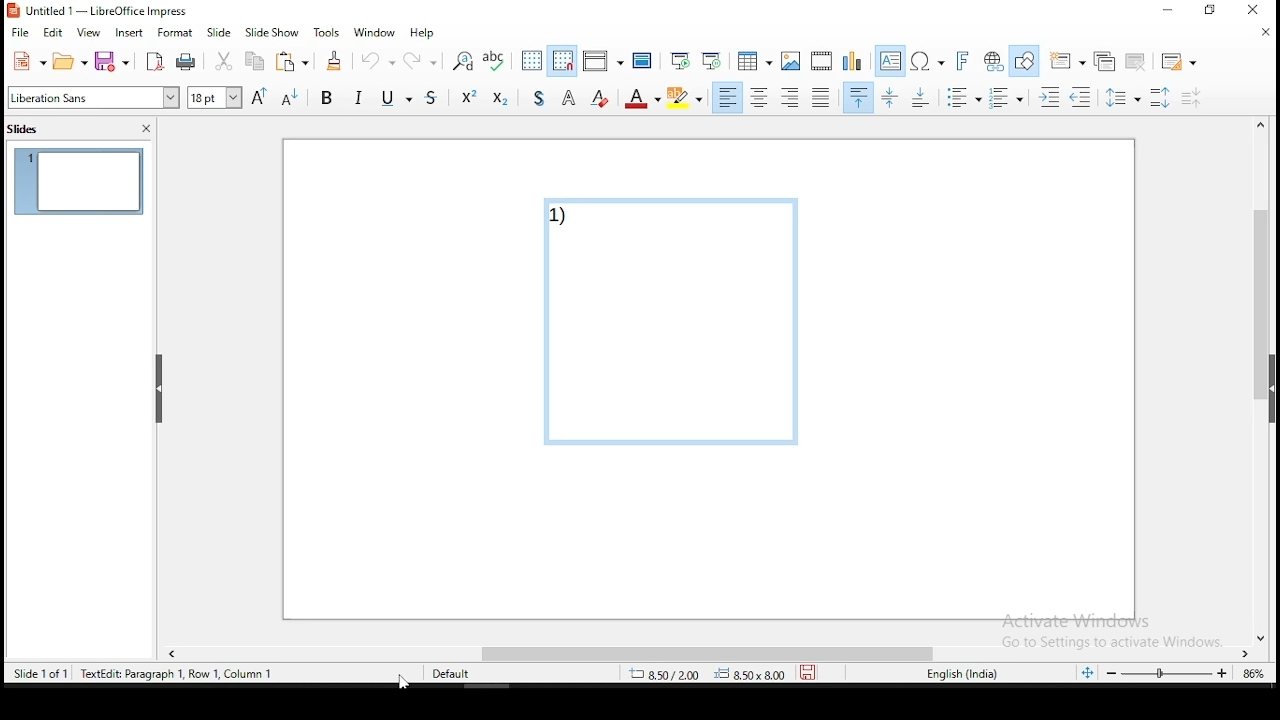 This screenshot has width=1280, height=720. Describe the element at coordinates (131, 35) in the screenshot. I see `insert` at that location.